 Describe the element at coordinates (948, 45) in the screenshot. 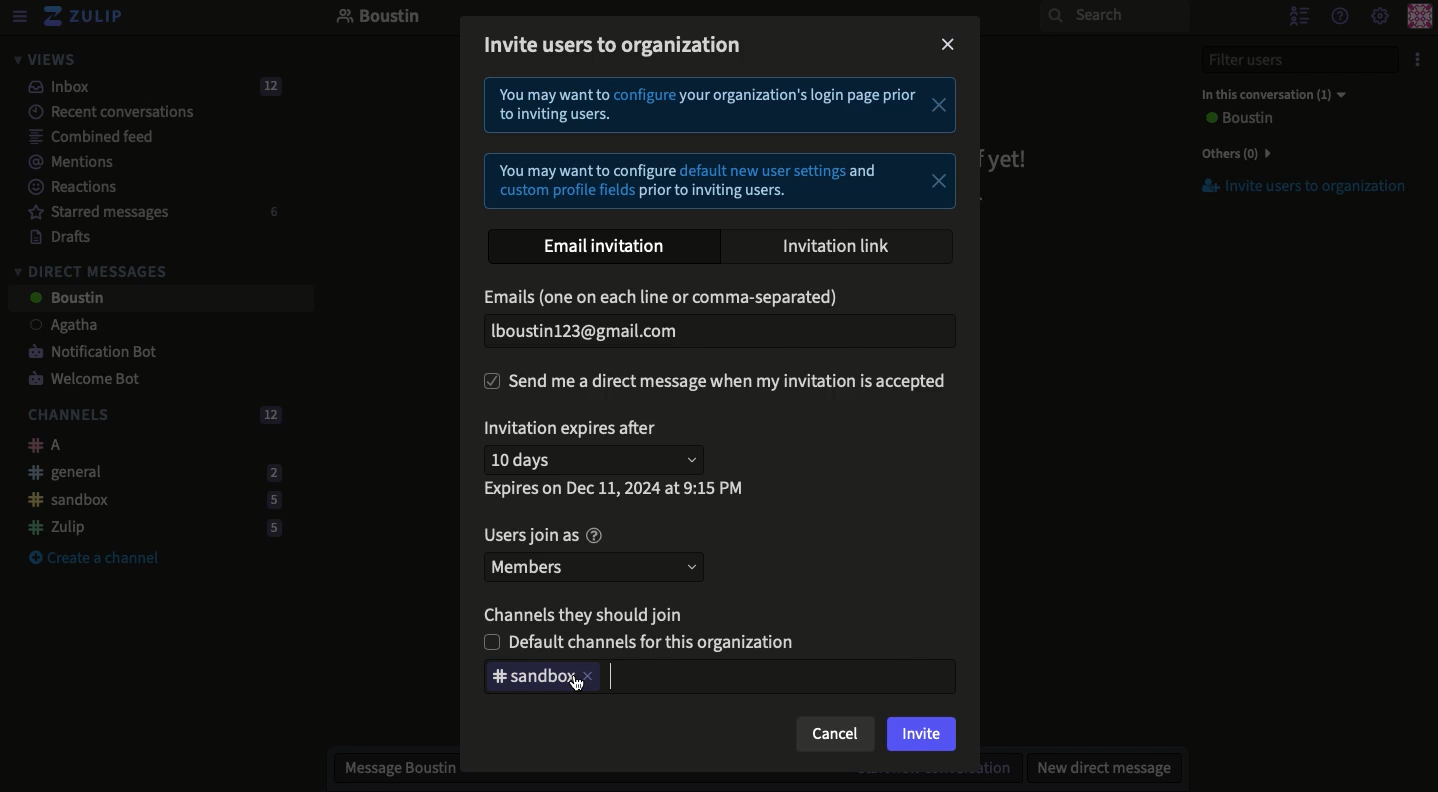

I see `` at that location.